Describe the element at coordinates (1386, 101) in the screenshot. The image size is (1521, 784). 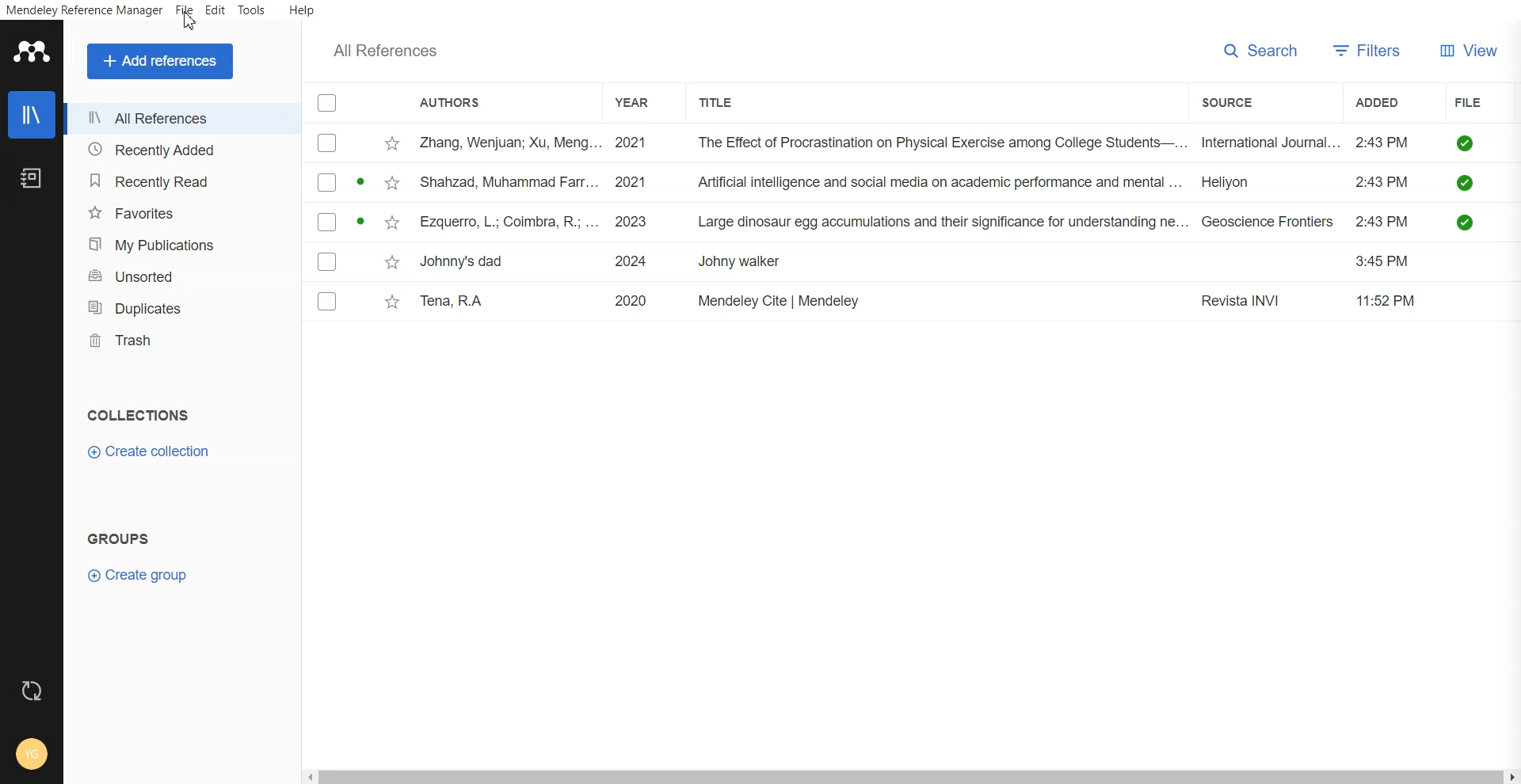
I see `Added` at that location.